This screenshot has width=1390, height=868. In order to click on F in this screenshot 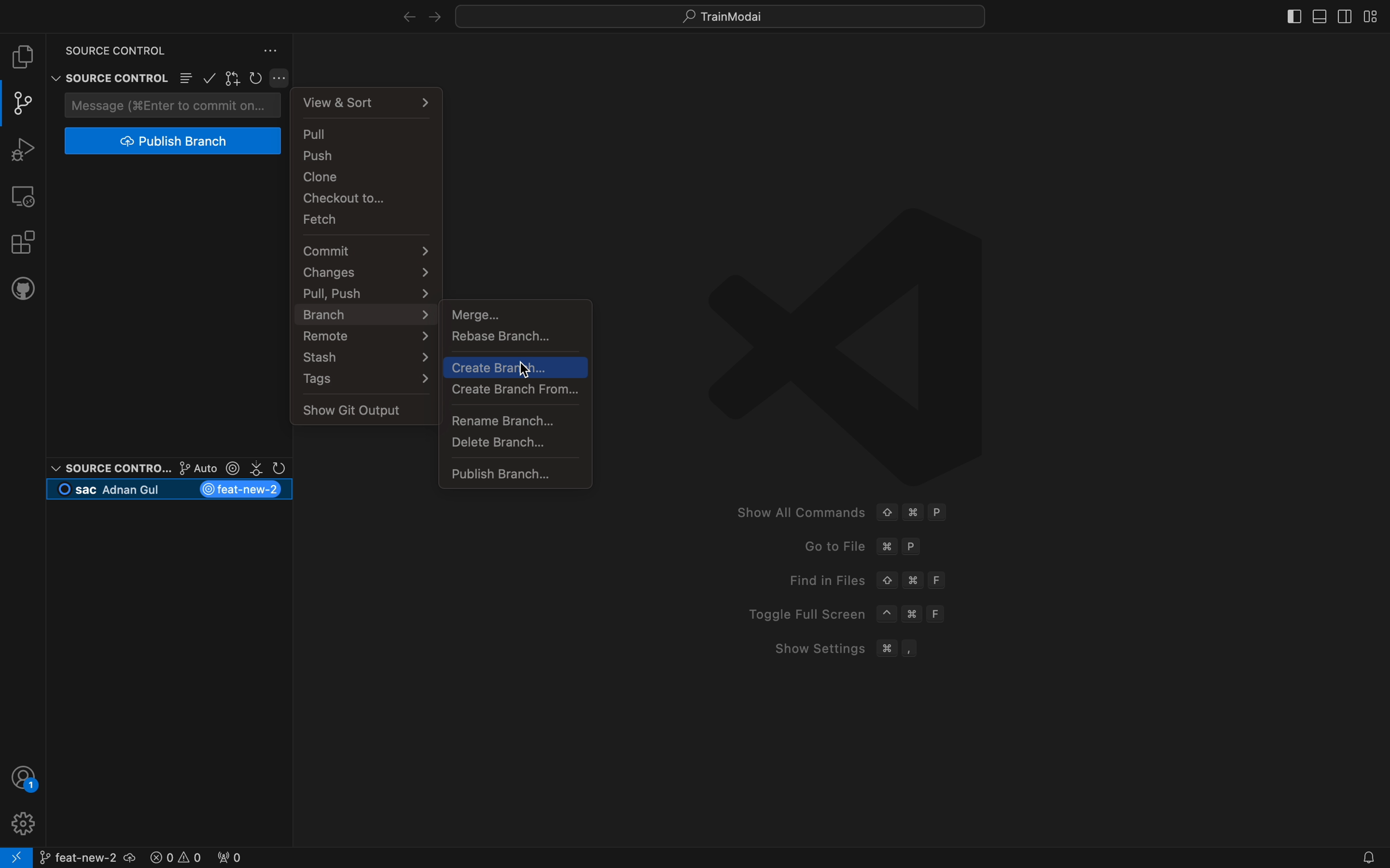, I will do `click(940, 614)`.